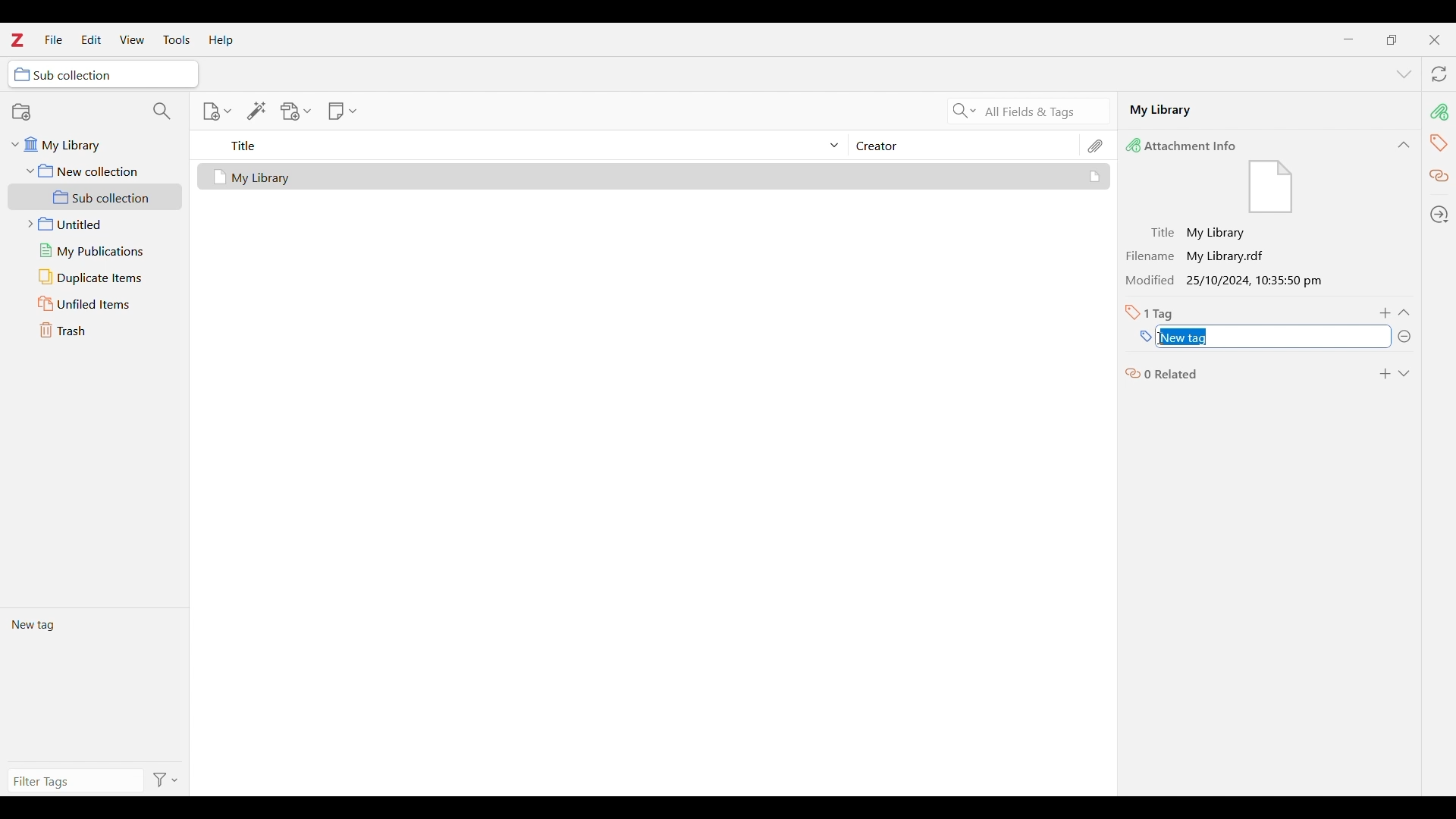 The width and height of the screenshot is (1456, 819). I want to click on Collapse, so click(1404, 312).